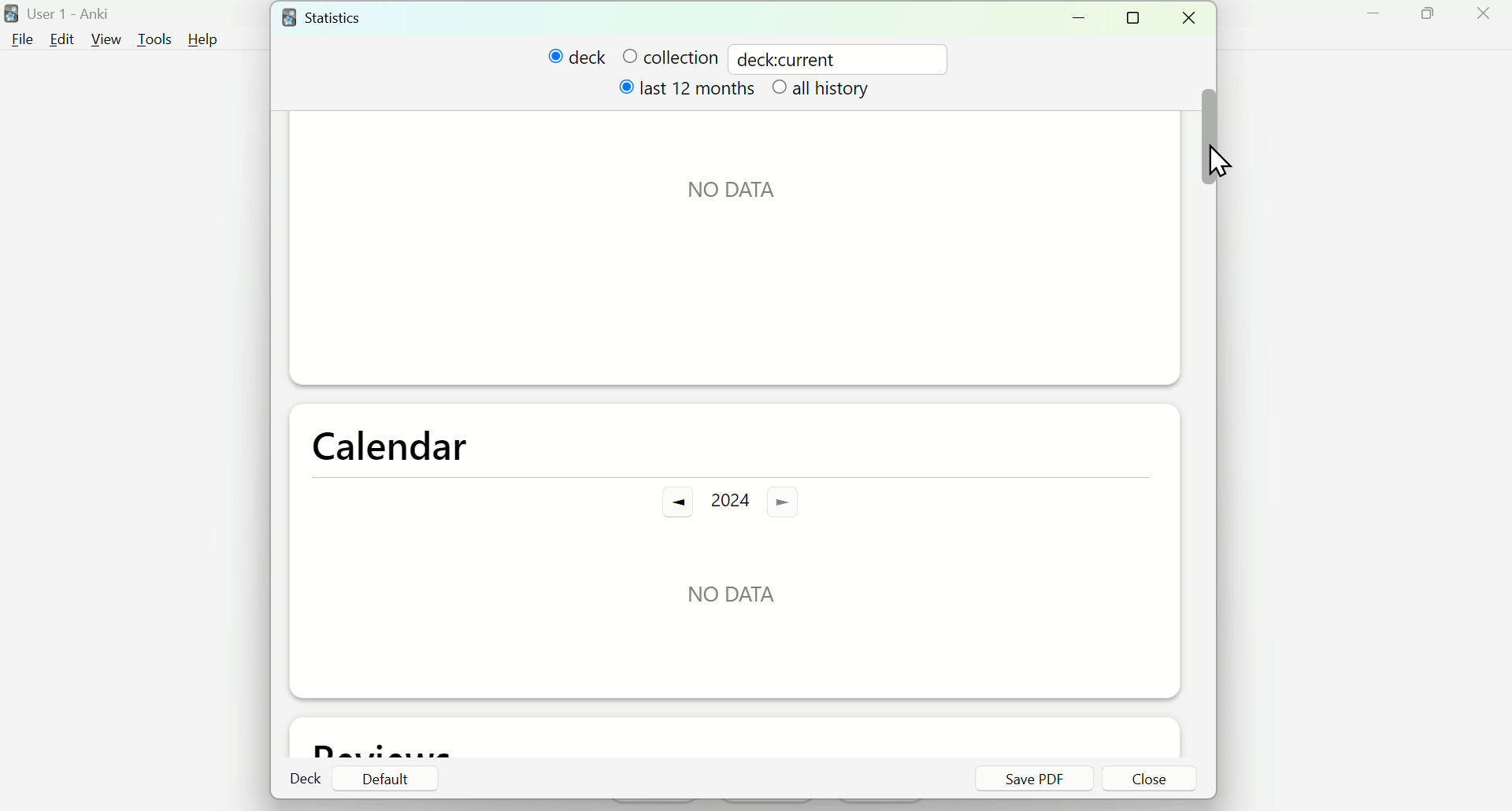  What do you see at coordinates (752, 187) in the screenshot?
I see `No Data` at bounding box center [752, 187].